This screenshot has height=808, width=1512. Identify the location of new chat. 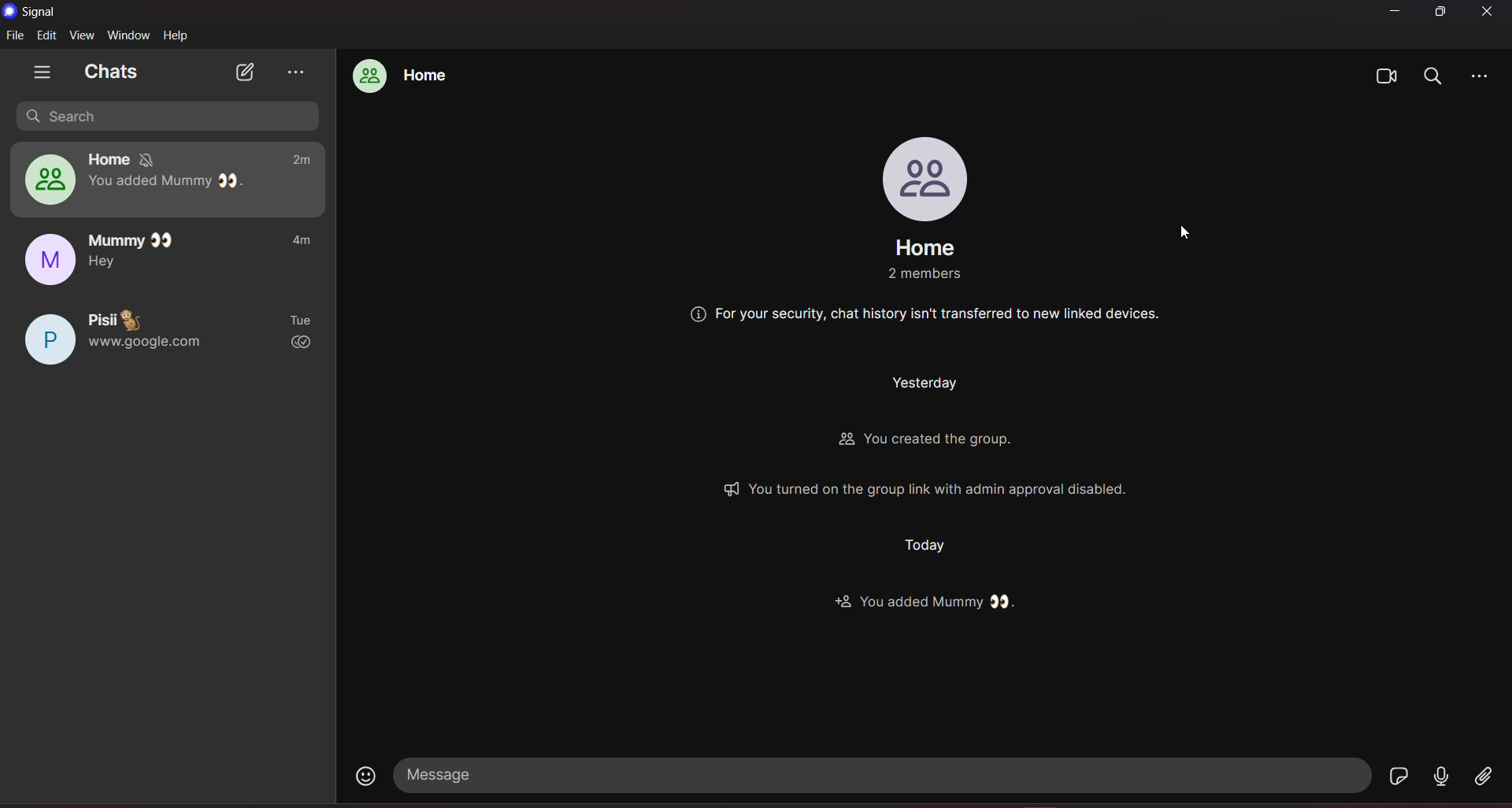
(246, 72).